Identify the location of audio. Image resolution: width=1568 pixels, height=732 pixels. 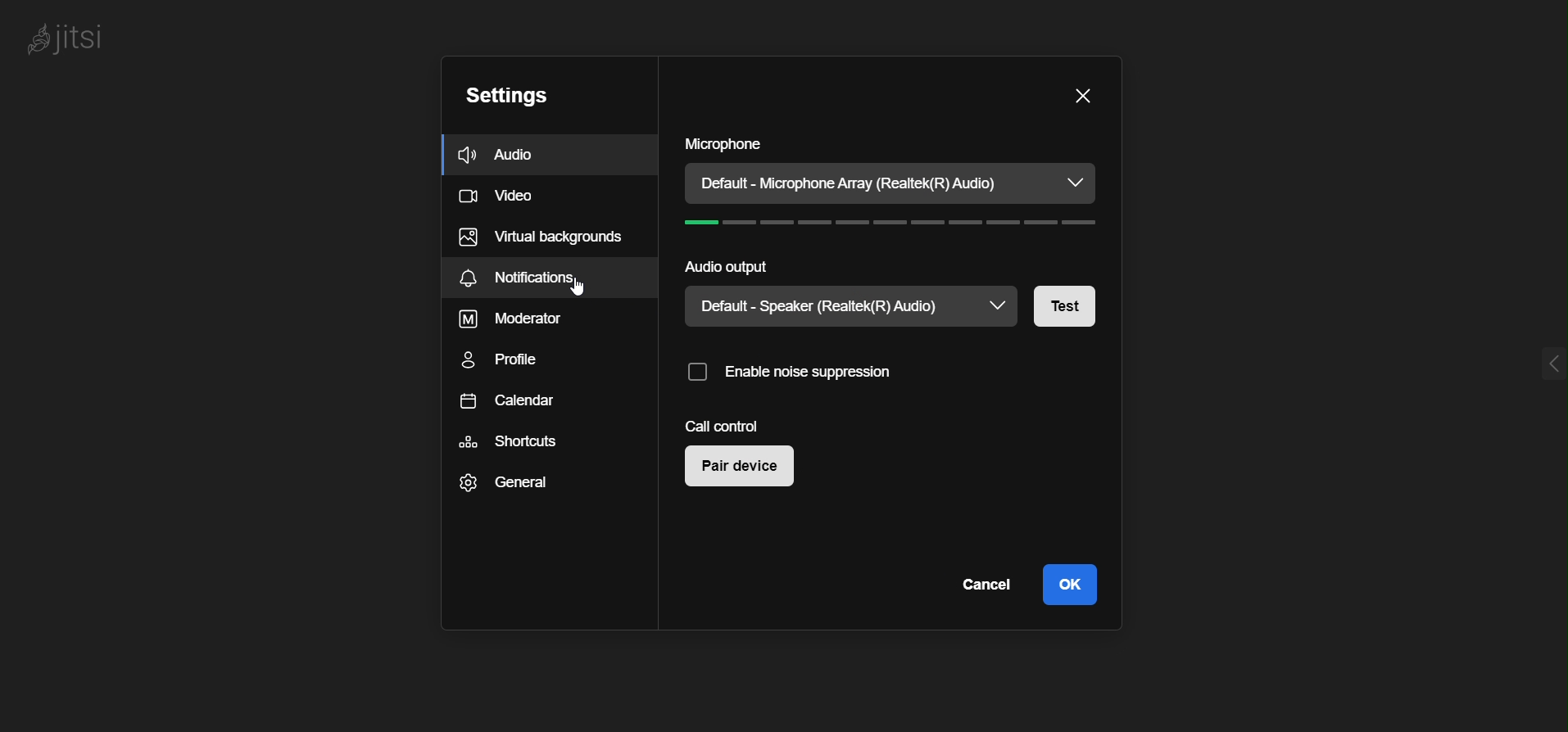
(513, 155).